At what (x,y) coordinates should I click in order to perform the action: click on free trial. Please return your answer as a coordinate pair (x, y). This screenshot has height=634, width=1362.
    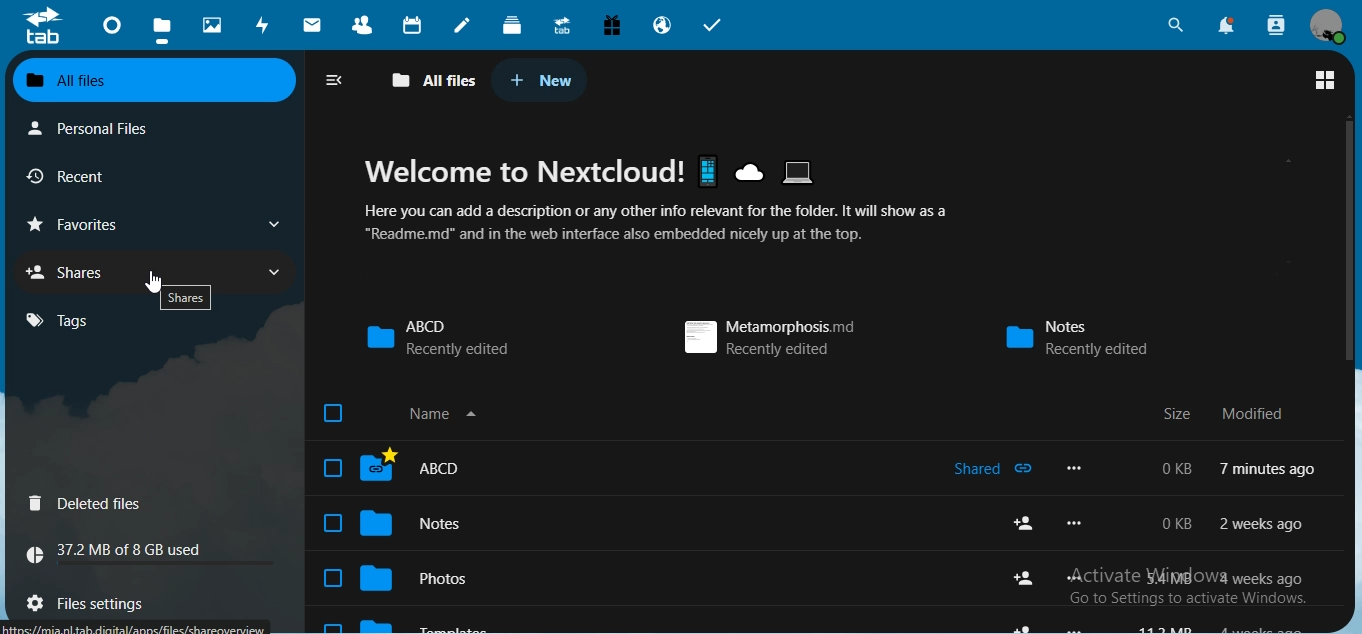
    Looking at the image, I should click on (614, 24).